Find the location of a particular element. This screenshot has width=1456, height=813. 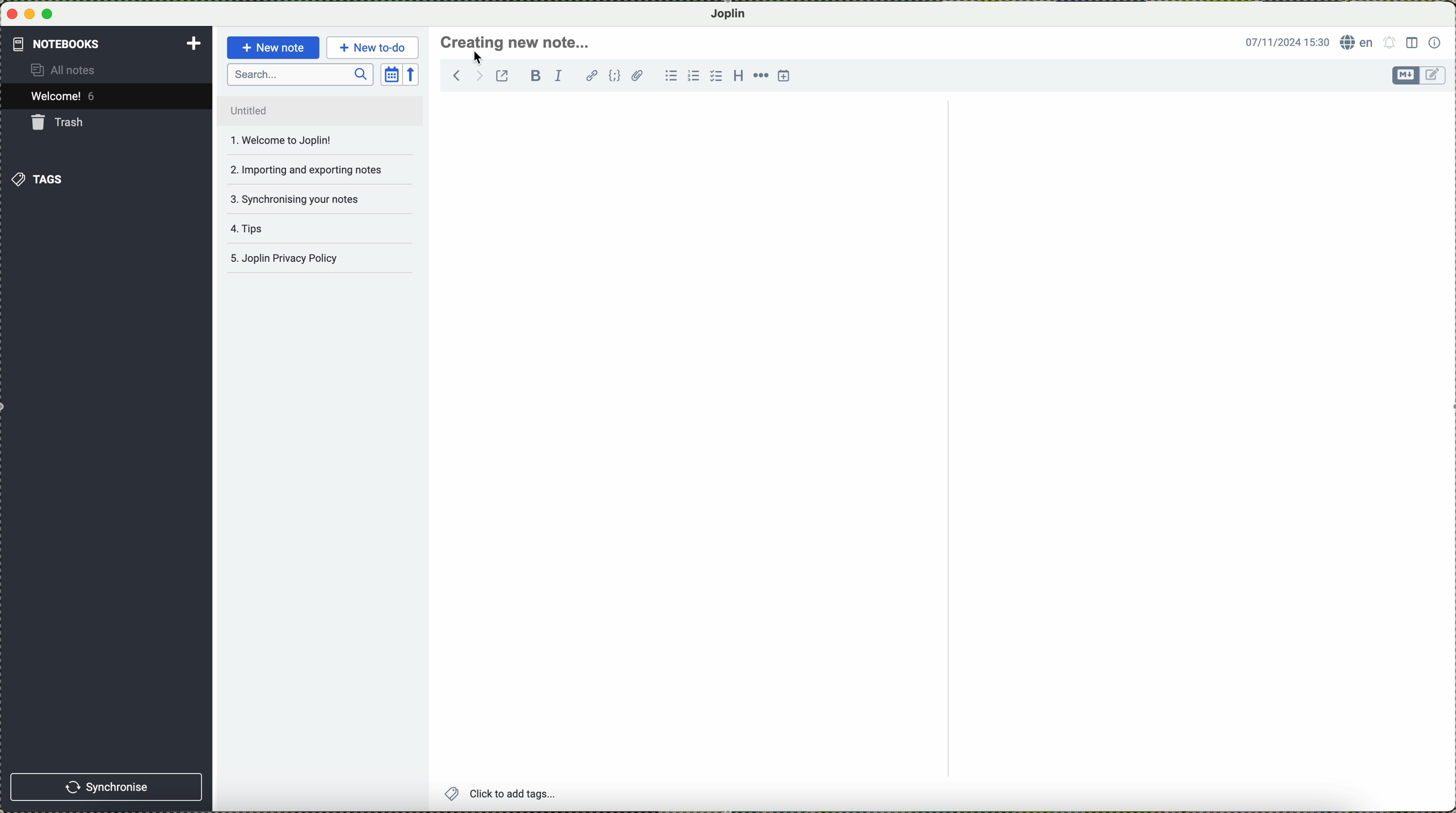

Joplin privacy policy is located at coordinates (317, 261).